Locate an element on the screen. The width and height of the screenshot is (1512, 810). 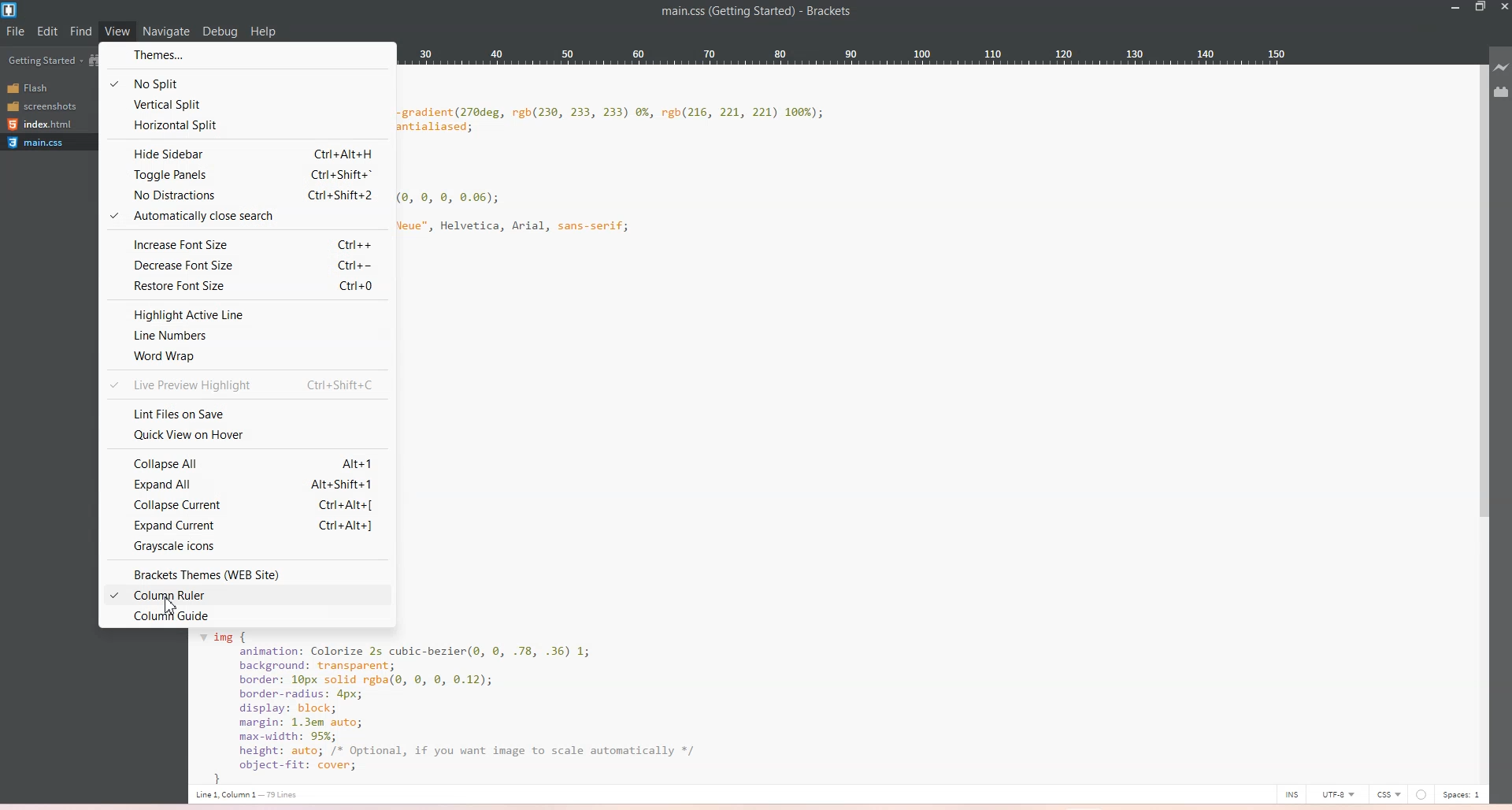
Restore Font size is located at coordinates (246, 286).